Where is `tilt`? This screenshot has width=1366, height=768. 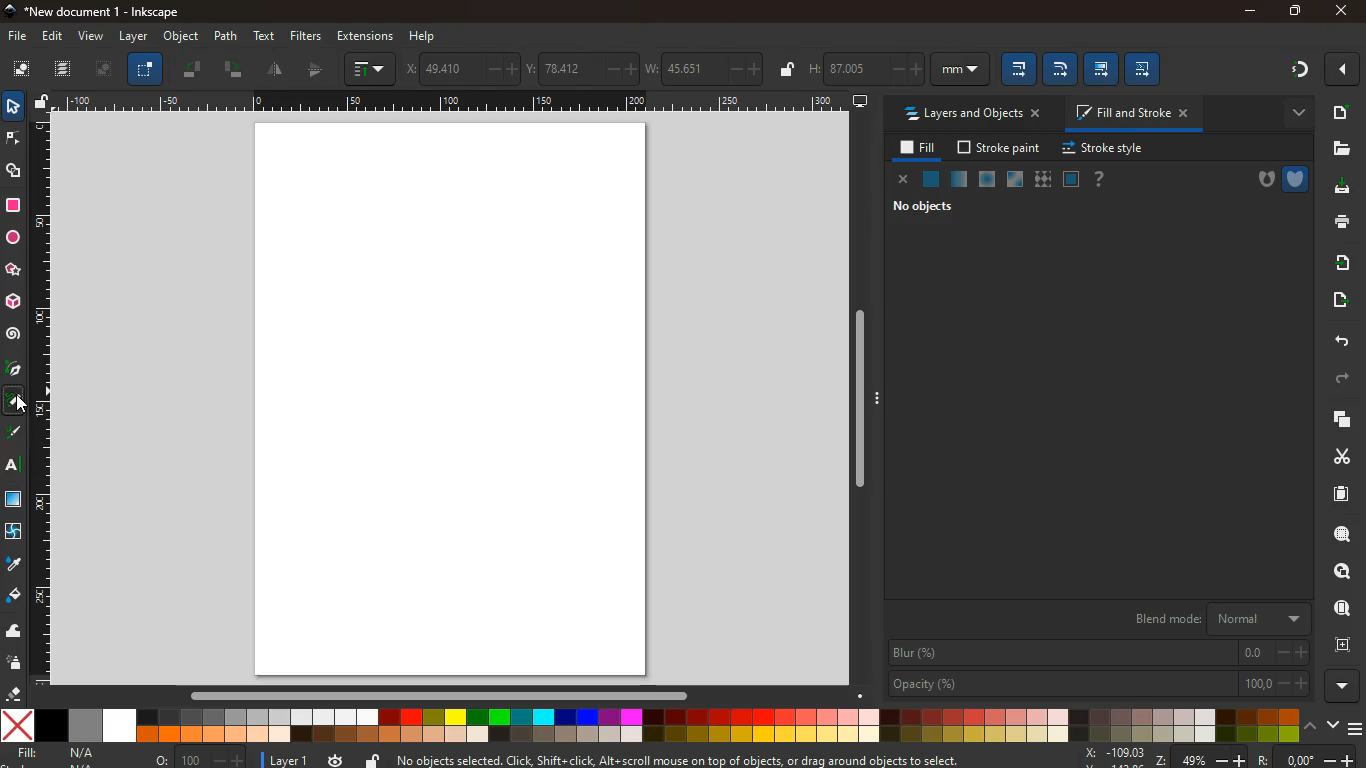
tilt is located at coordinates (233, 70).